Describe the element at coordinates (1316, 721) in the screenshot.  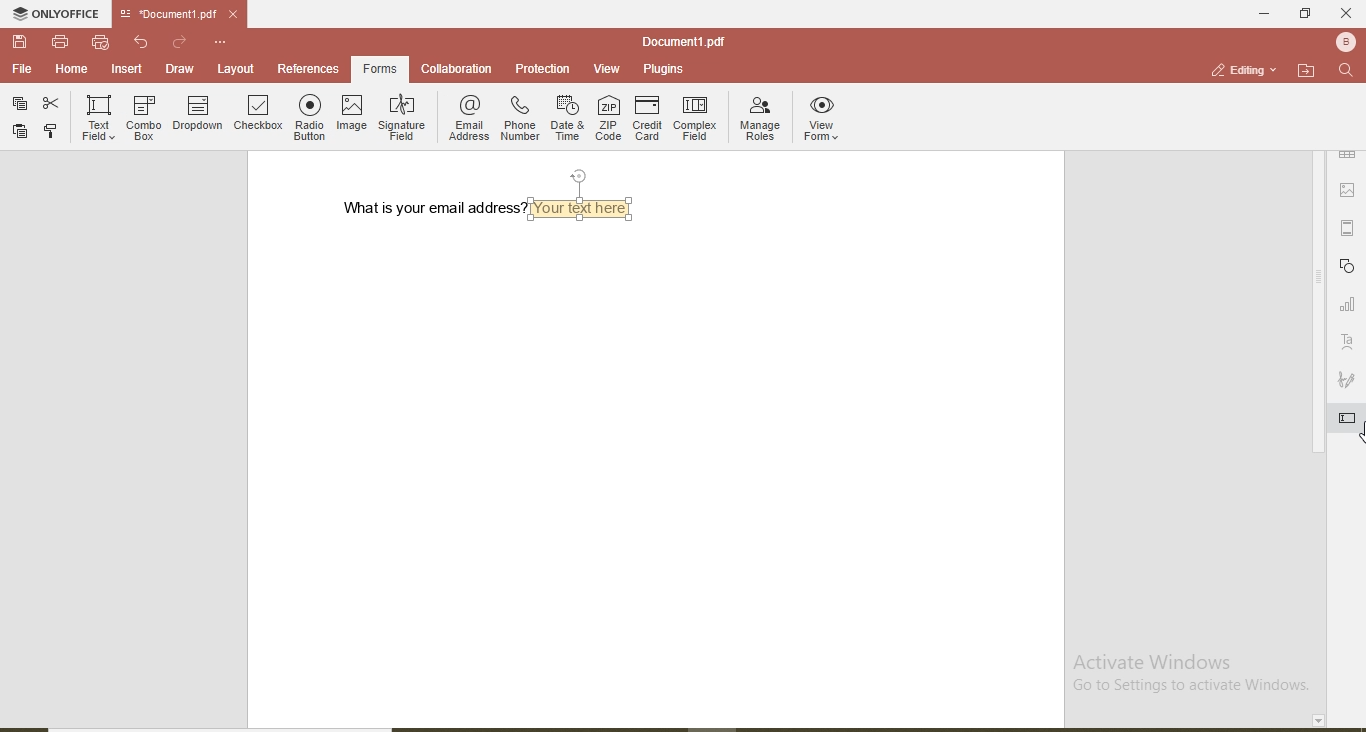
I see `page down` at that location.